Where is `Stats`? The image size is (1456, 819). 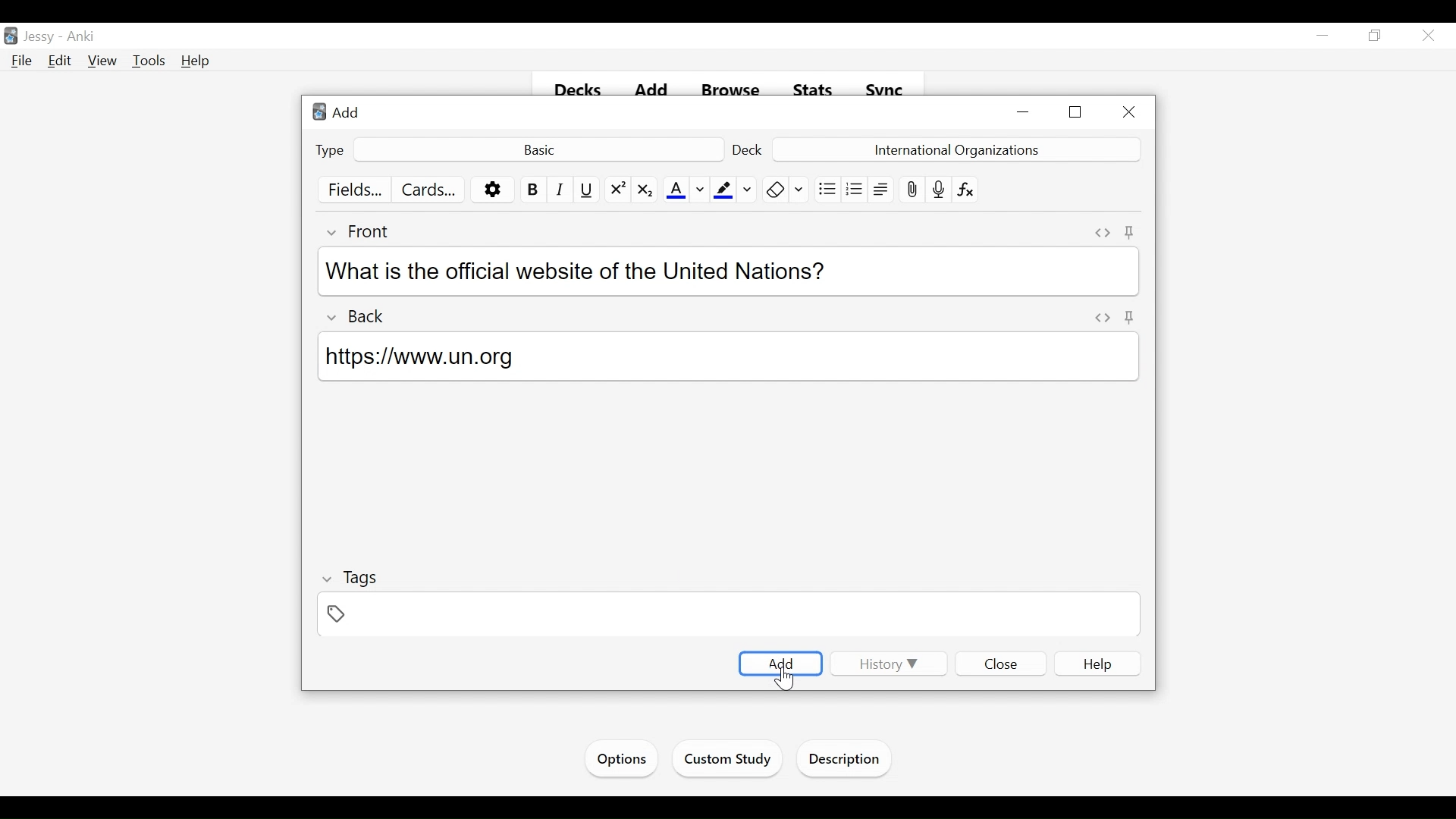
Stats is located at coordinates (811, 88).